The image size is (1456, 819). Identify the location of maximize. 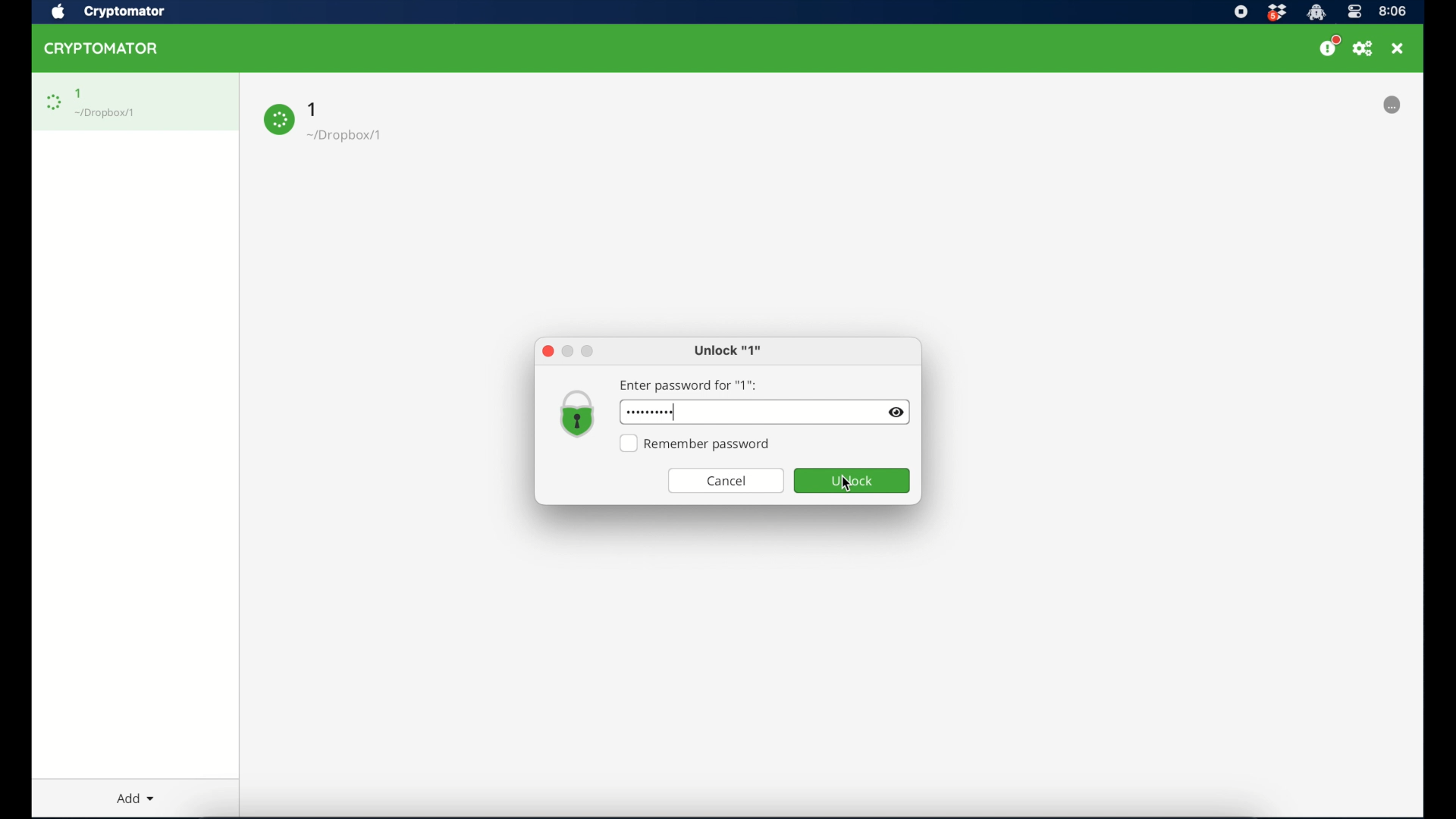
(588, 352).